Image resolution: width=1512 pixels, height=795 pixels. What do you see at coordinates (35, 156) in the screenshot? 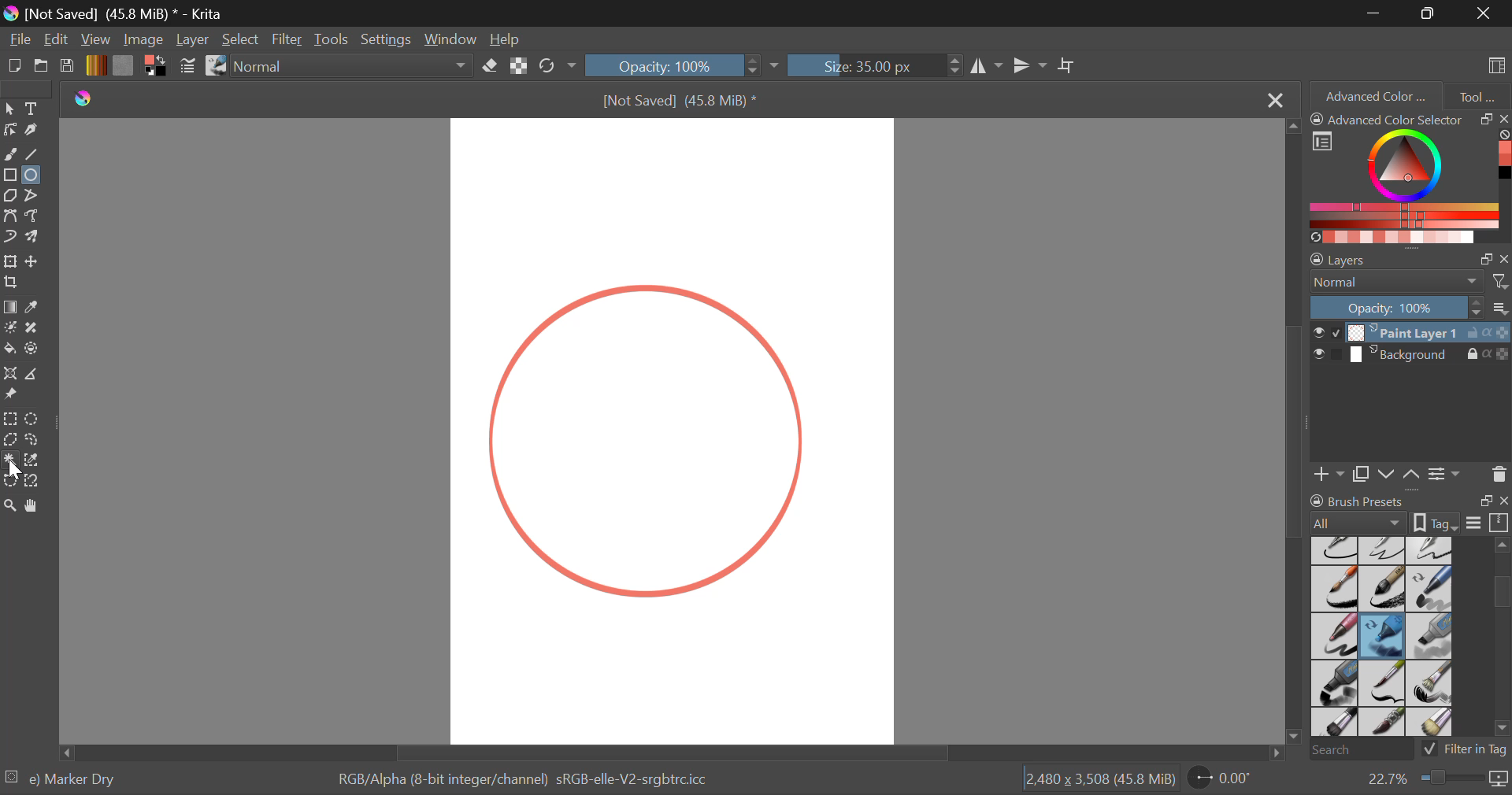
I see `Line` at bounding box center [35, 156].